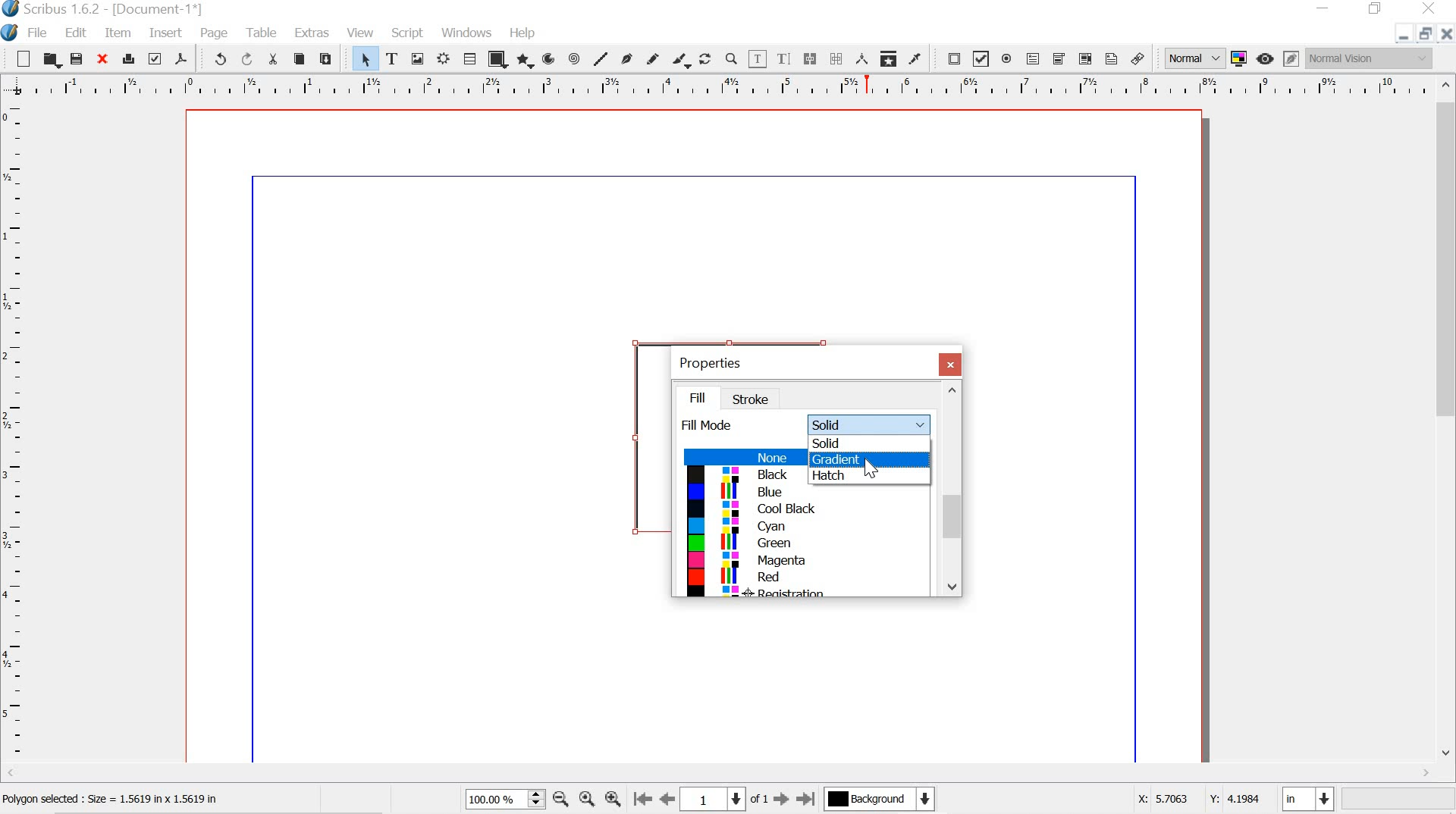 Image resolution: width=1456 pixels, height=814 pixels. I want to click on go to previous page, so click(669, 800).